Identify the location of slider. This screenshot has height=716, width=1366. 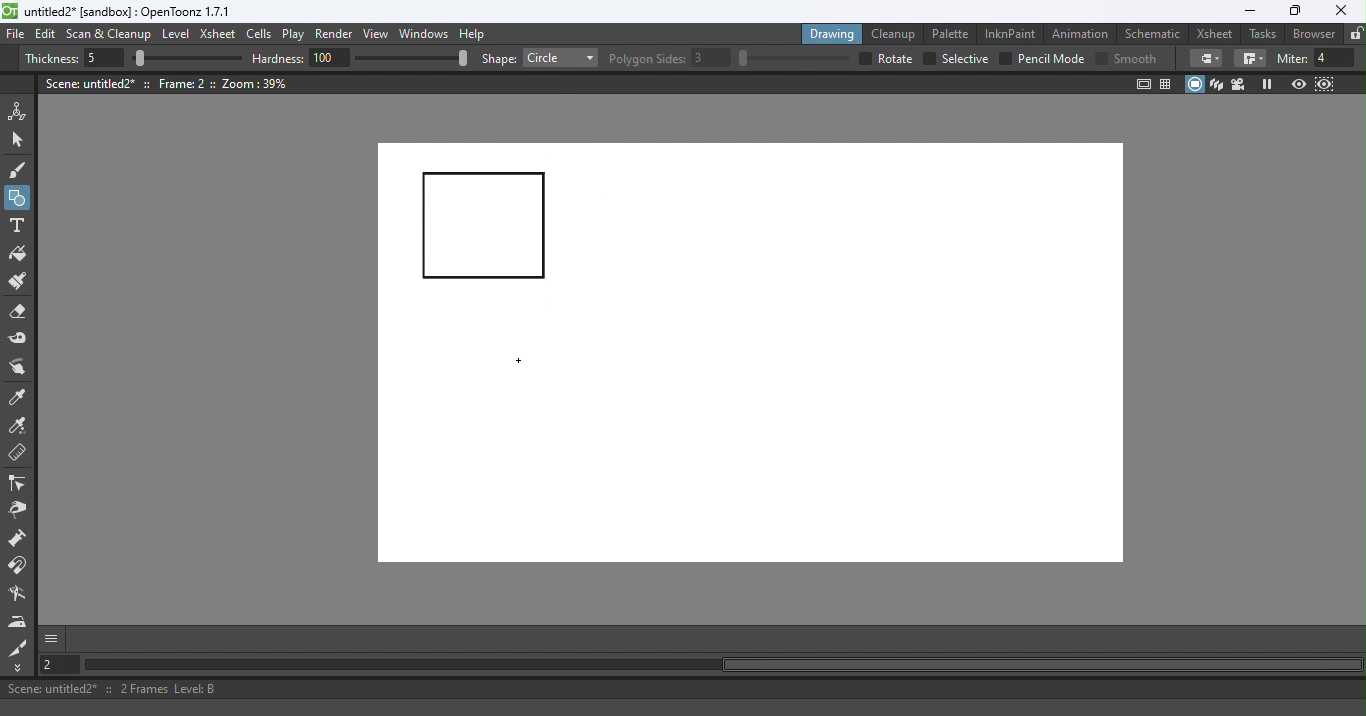
(187, 59).